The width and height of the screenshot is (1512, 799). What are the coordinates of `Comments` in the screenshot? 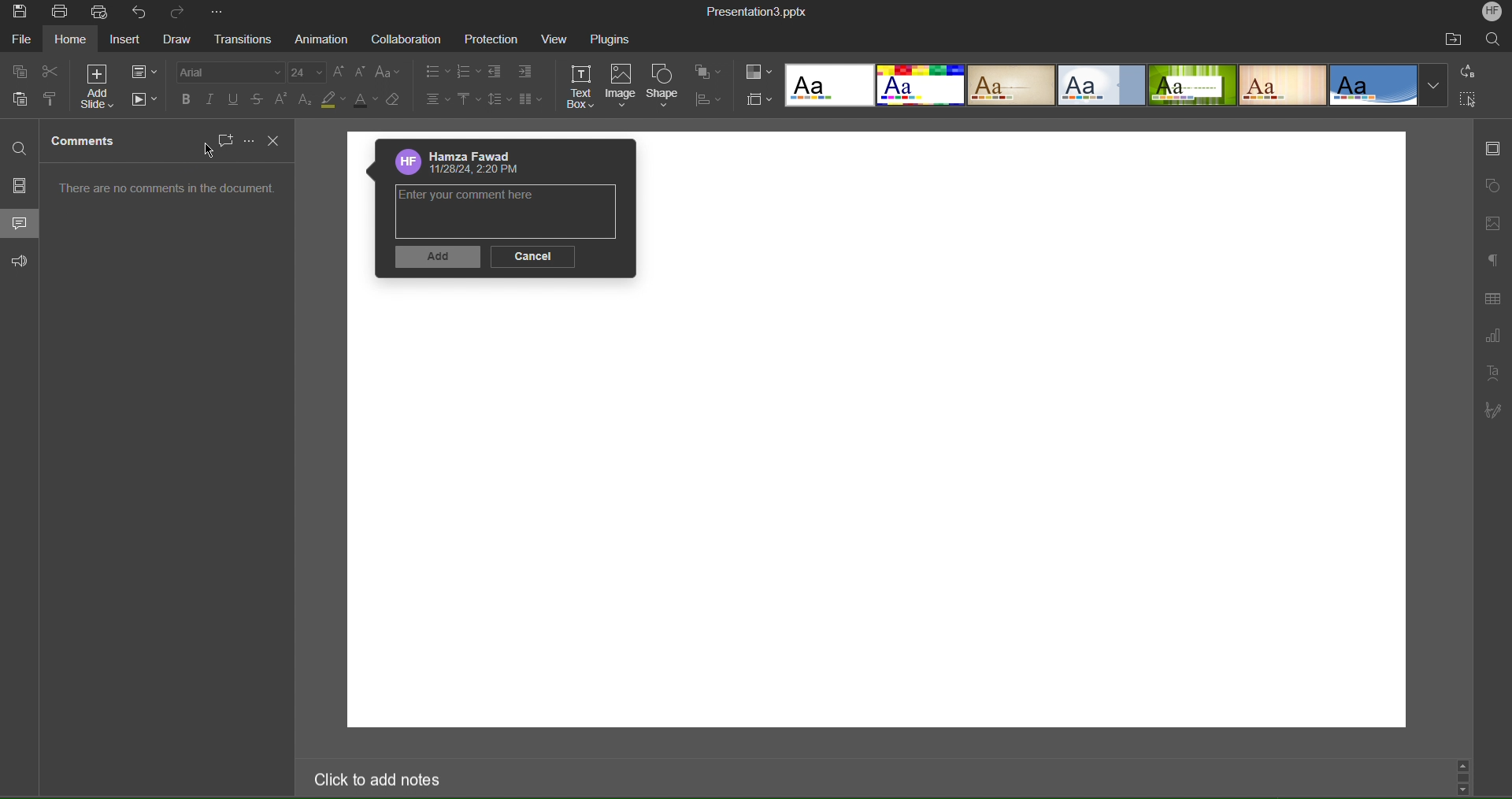 It's located at (86, 142).